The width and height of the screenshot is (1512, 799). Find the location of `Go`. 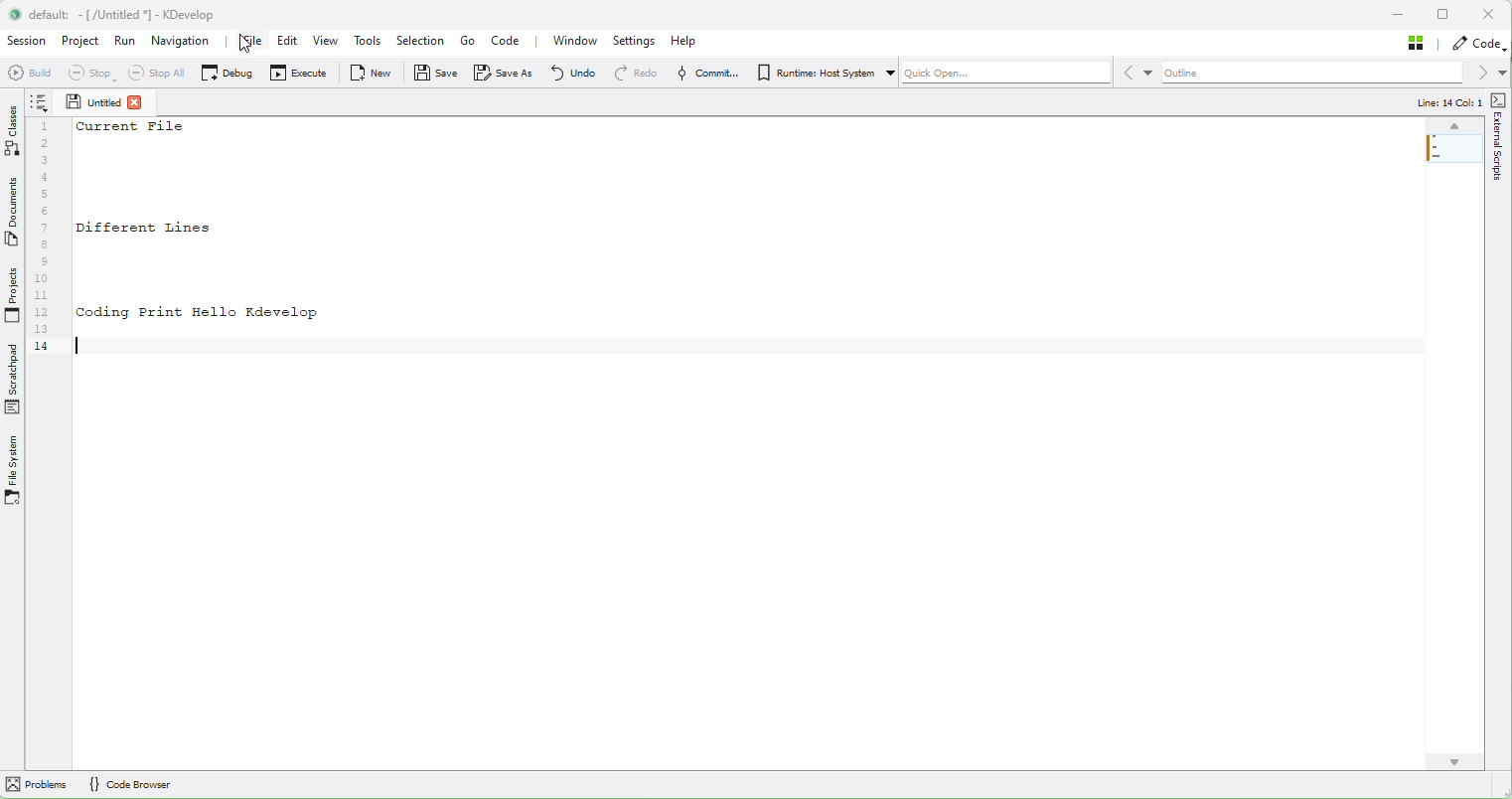

Go is located at coordinates (472, 42).